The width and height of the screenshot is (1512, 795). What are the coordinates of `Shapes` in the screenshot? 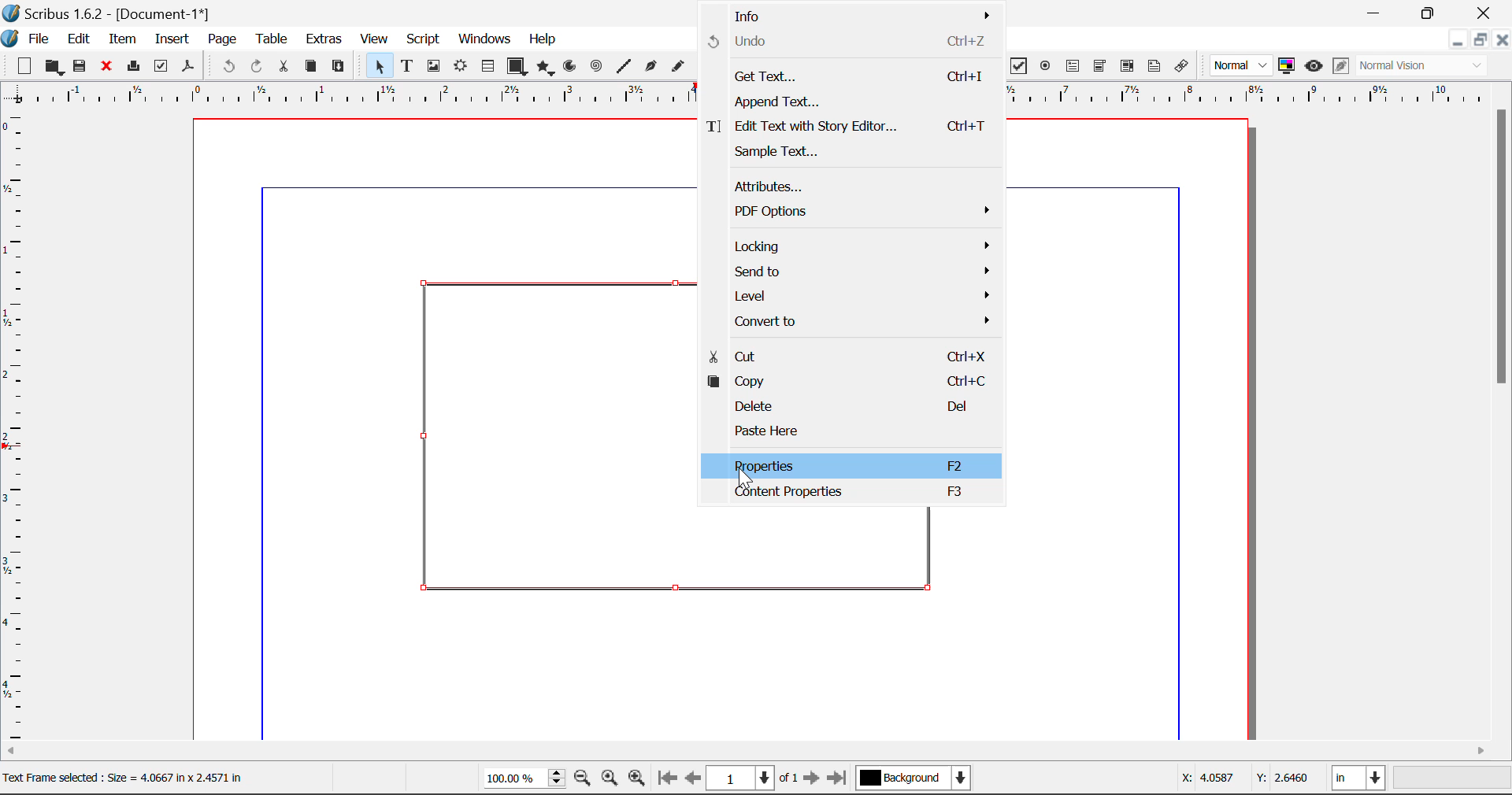 It's located at (517, 65).